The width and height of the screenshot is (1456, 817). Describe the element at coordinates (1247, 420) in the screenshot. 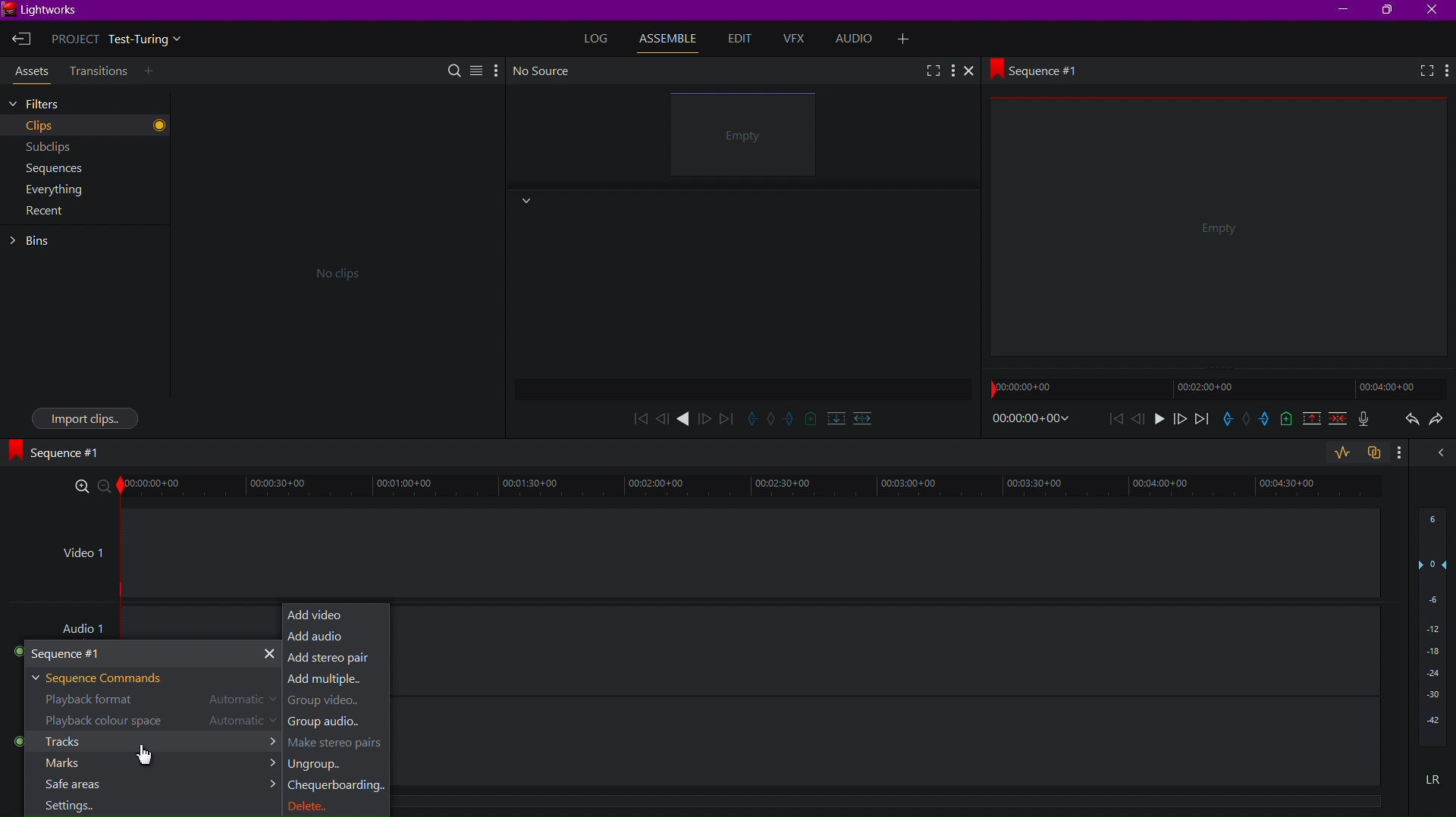

I see `hold` at that location.